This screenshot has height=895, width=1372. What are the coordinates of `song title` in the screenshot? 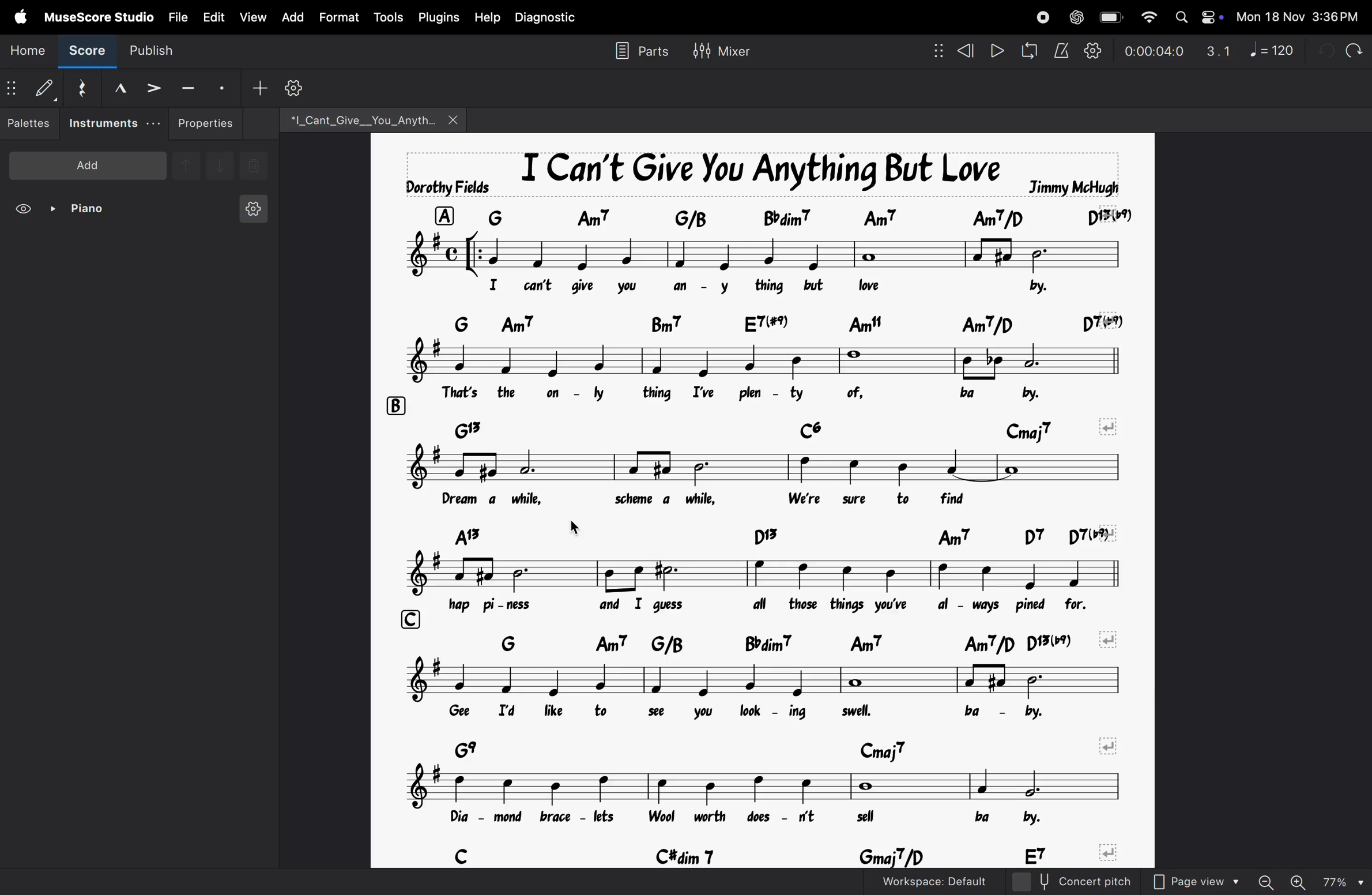 It's located at (753, 174).